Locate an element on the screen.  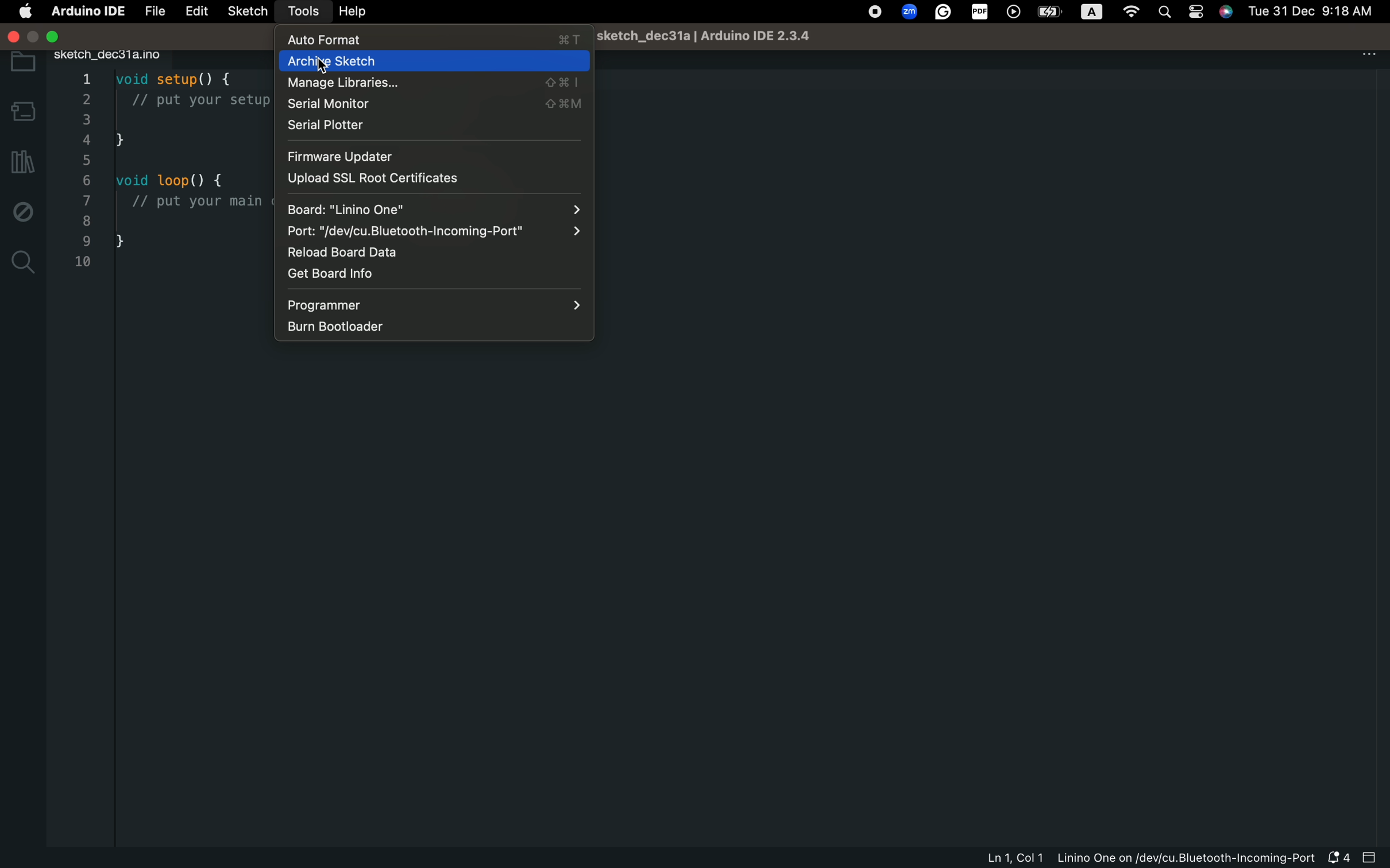
tools is located at coordinates (299, 12).